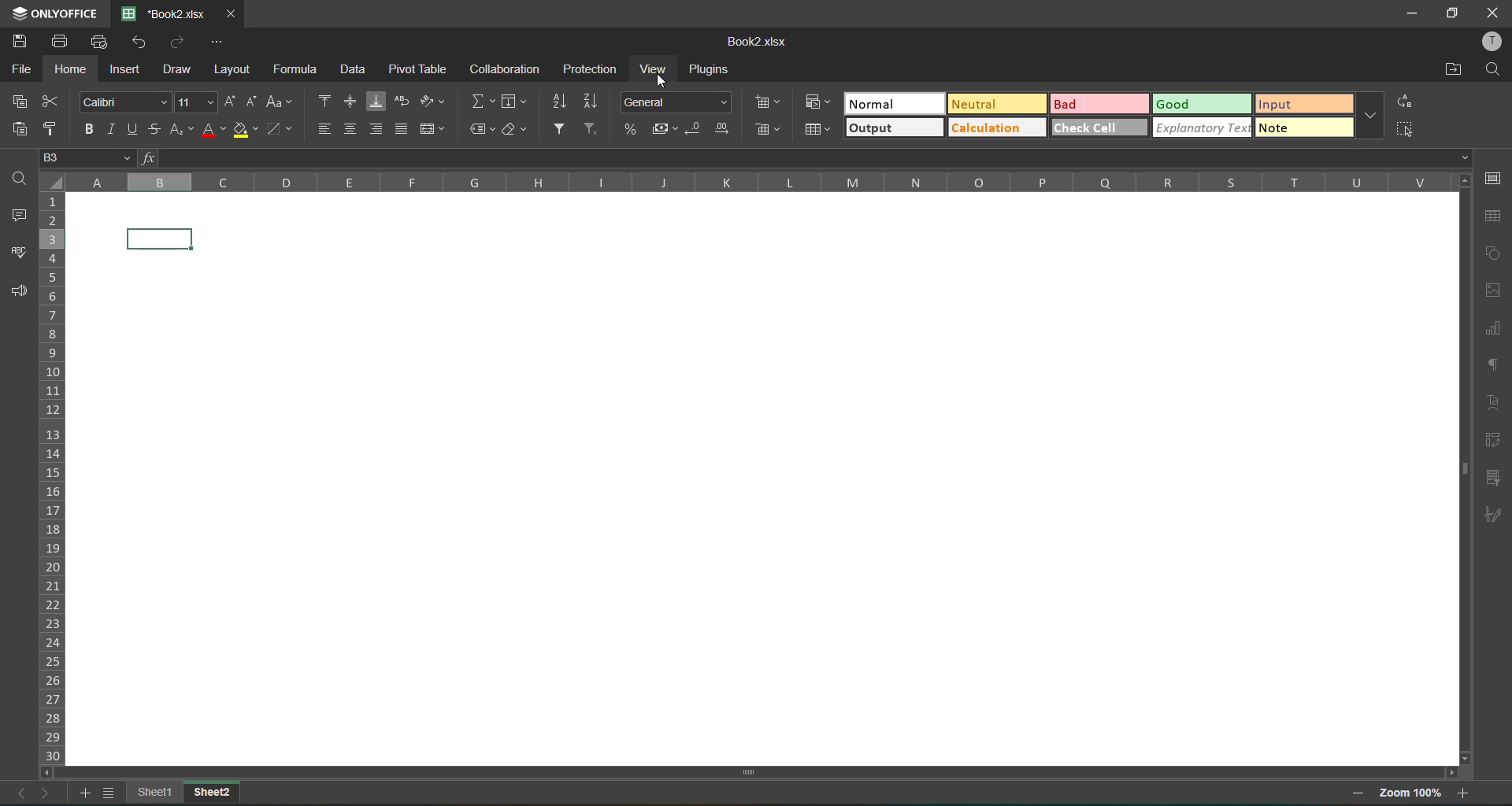 Image resolution: width=1512 pixels, height=806 pixels. Describe the element at coordinates (49, 128) in the screenshot. I see `copy style` at that location.